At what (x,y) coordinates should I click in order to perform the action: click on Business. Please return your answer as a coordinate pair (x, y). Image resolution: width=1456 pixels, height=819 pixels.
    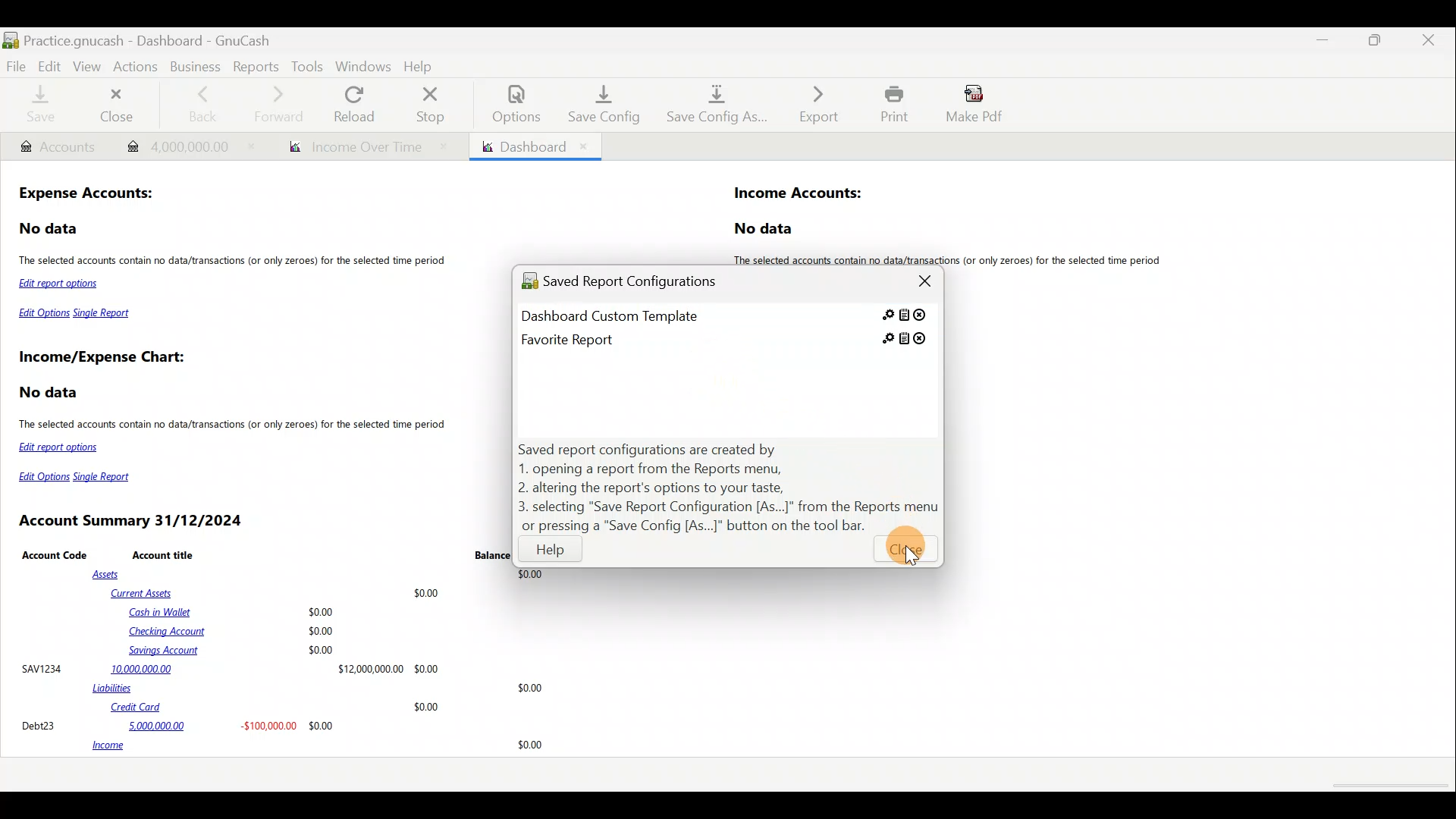
    Looking at the image, I should click on (195, 65).